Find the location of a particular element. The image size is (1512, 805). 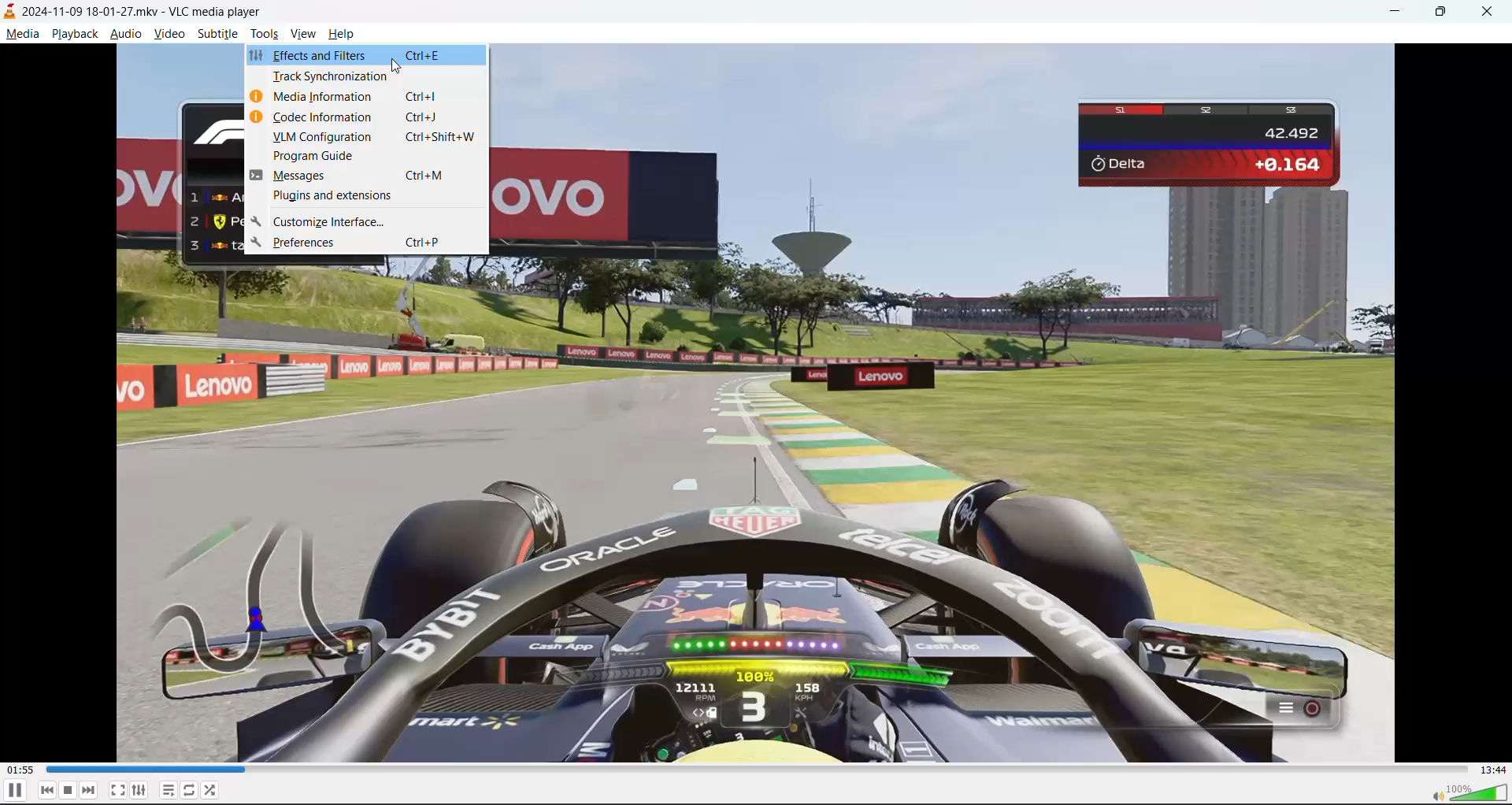

fullscreen is located at coordinates (118, 790).